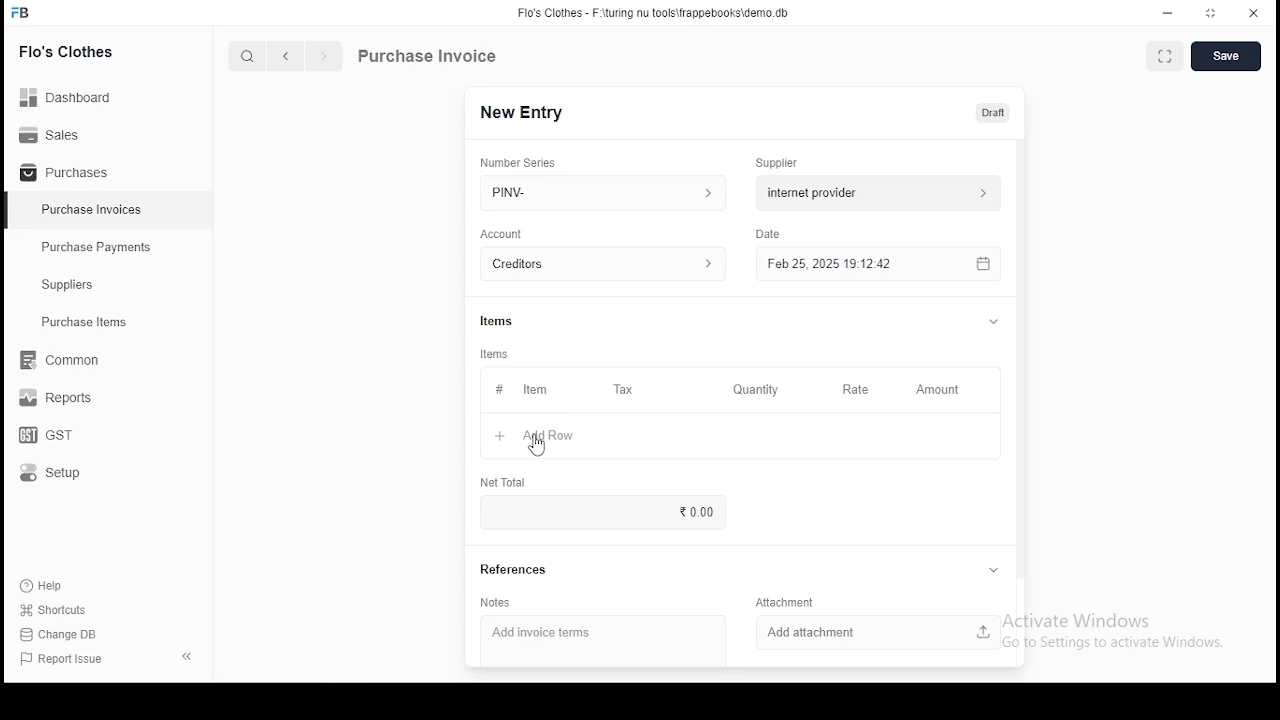 The height and width of the screenshot is (720, 1280). Describe the element at coordinates (69, 51) in the screenshot. I see `flo's clothes` at that location.